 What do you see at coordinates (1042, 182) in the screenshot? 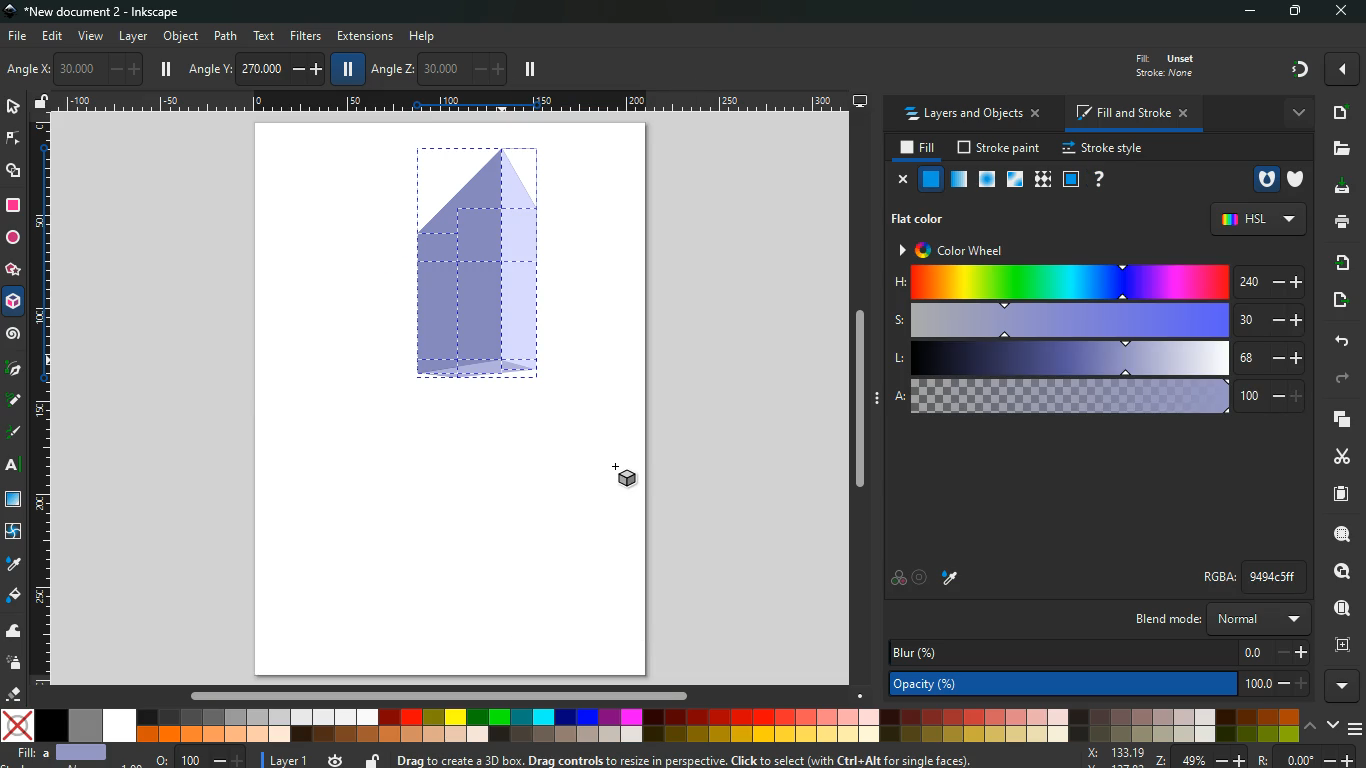
I see `texture` at bounding box center [1042, 182].